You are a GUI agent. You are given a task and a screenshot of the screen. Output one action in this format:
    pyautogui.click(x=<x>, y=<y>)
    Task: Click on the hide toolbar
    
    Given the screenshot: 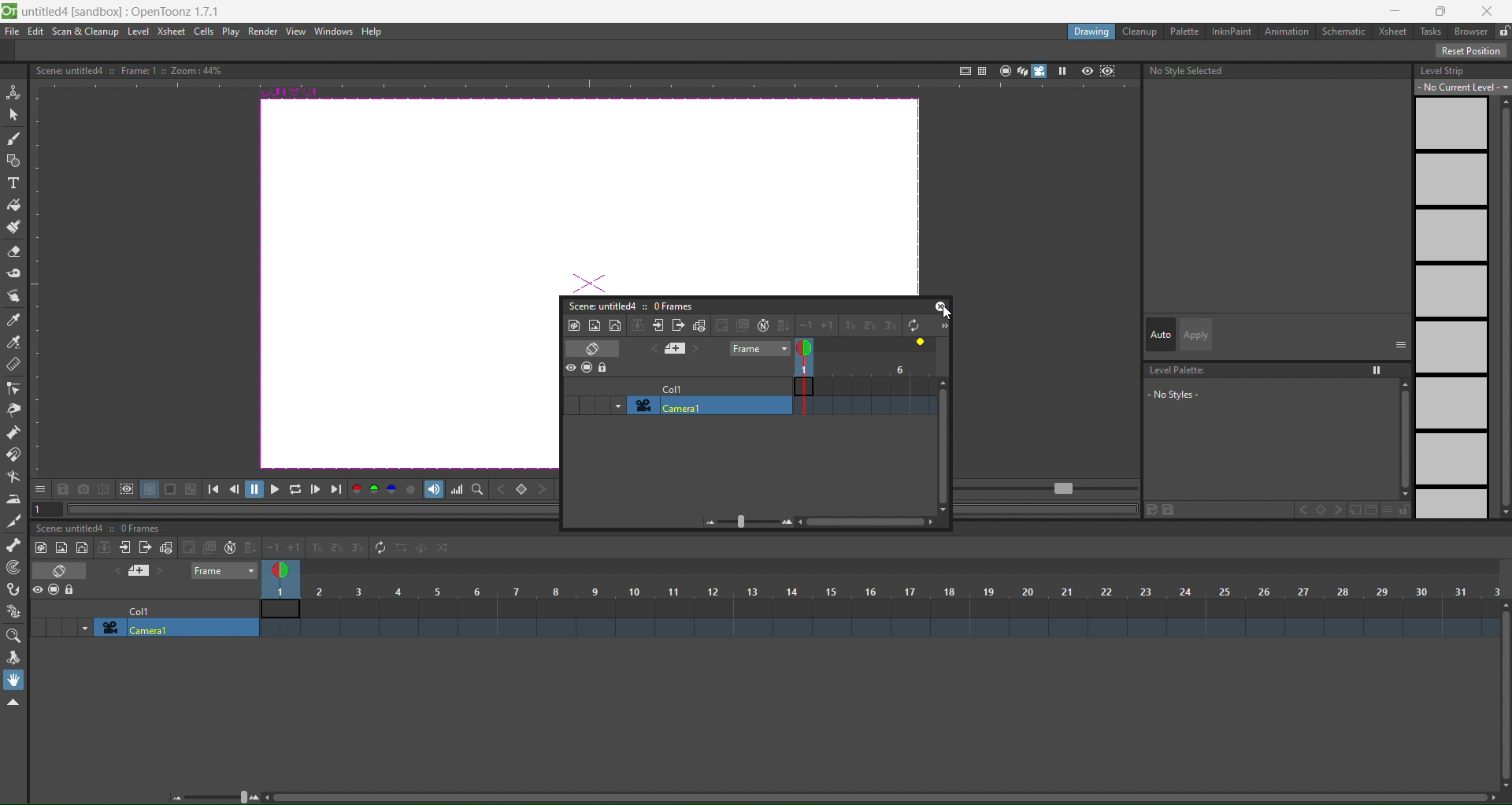 What is the action you would take?
    pyautogui.click(x=13, y=703)
    